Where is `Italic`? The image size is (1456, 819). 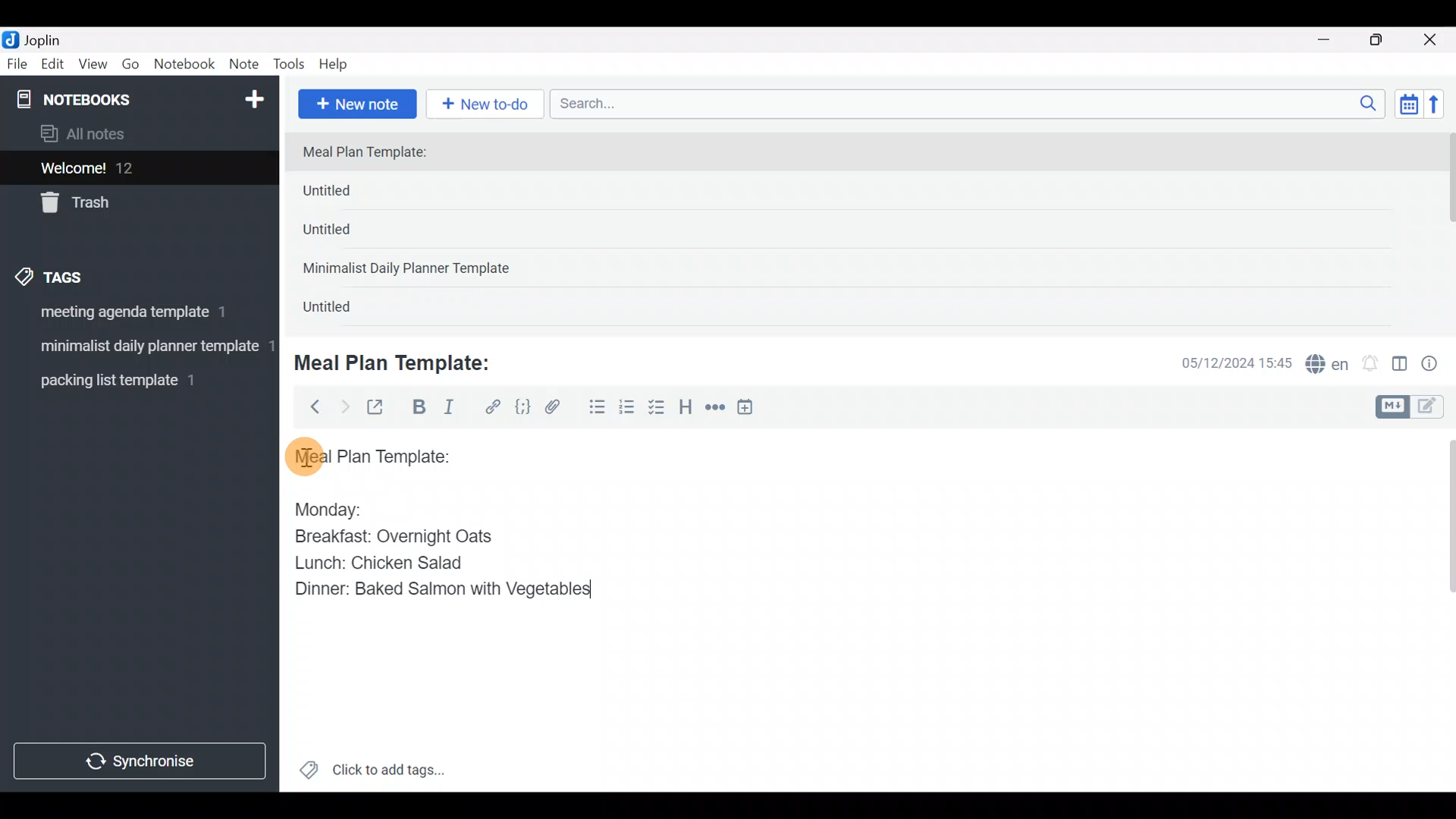
Italic is located at coordinates (447, 410).